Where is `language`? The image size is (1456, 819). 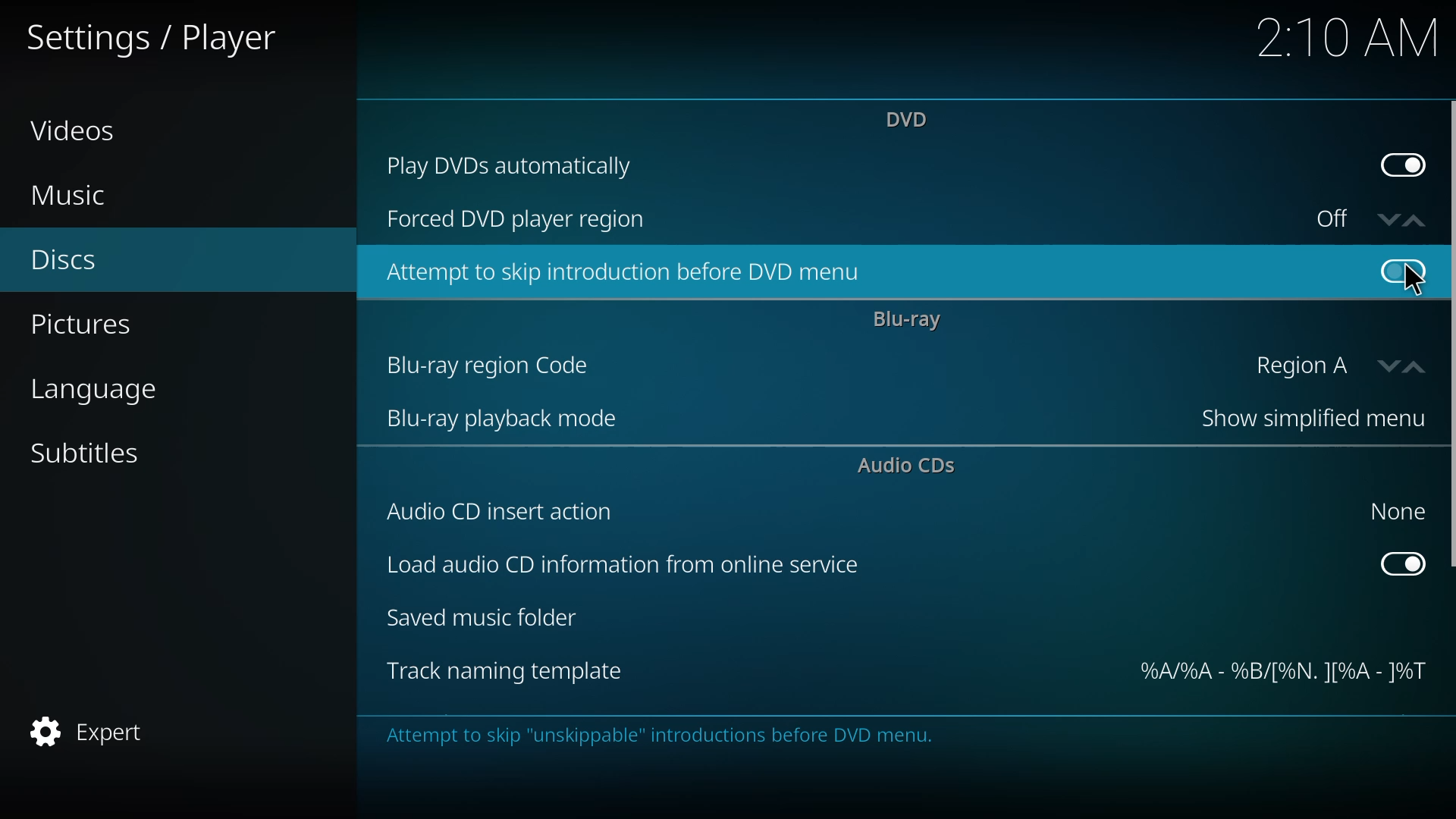 language is located at coordinates (93, 388).